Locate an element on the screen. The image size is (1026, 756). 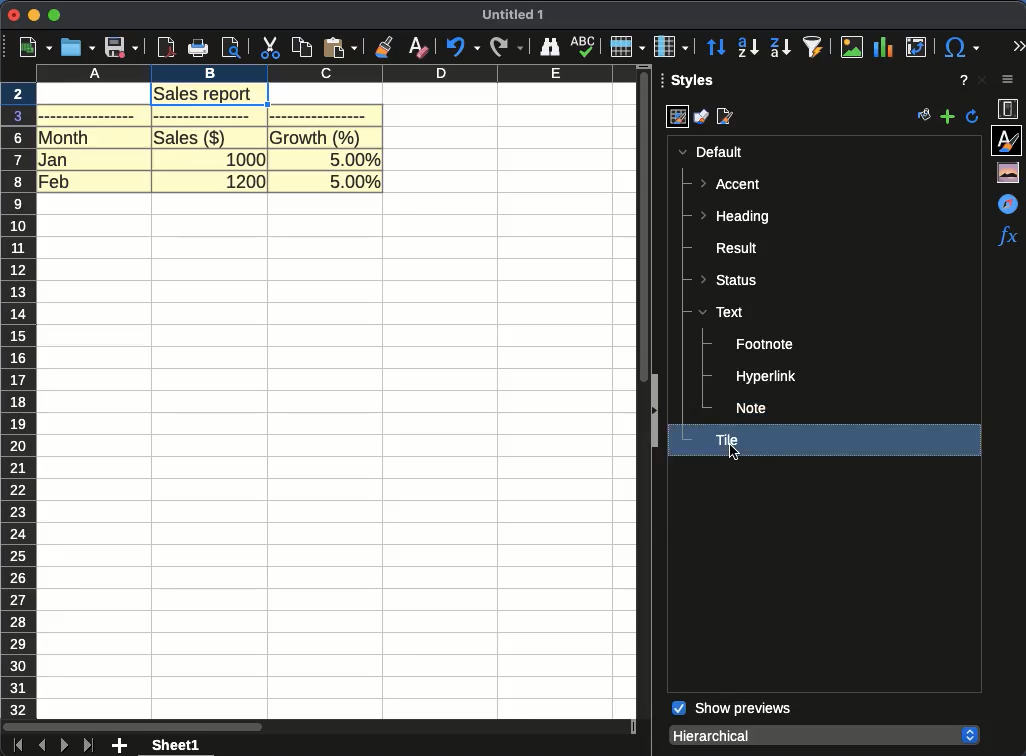
close is located at coordinates (981, 80).